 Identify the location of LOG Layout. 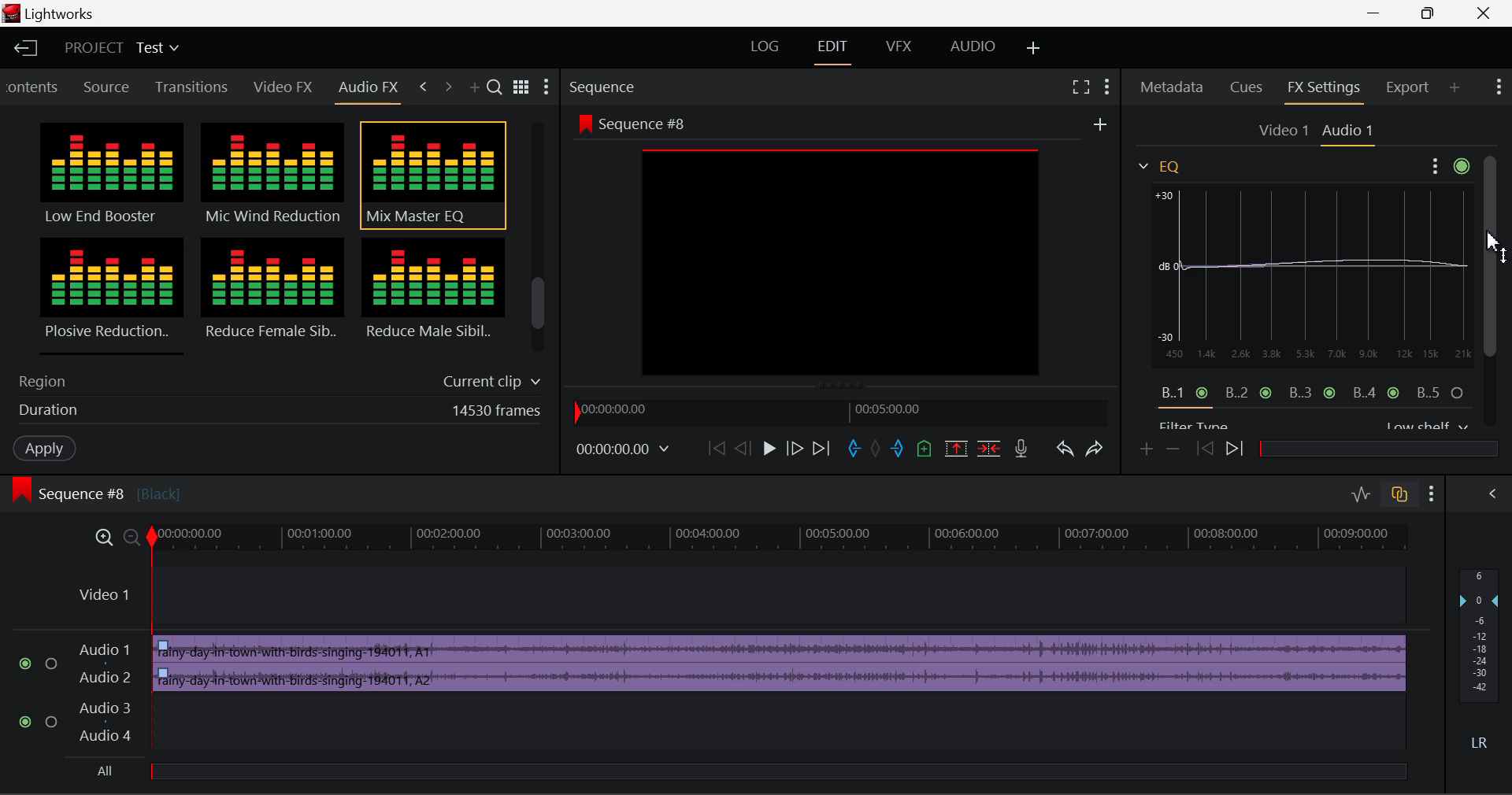
(762, 47).